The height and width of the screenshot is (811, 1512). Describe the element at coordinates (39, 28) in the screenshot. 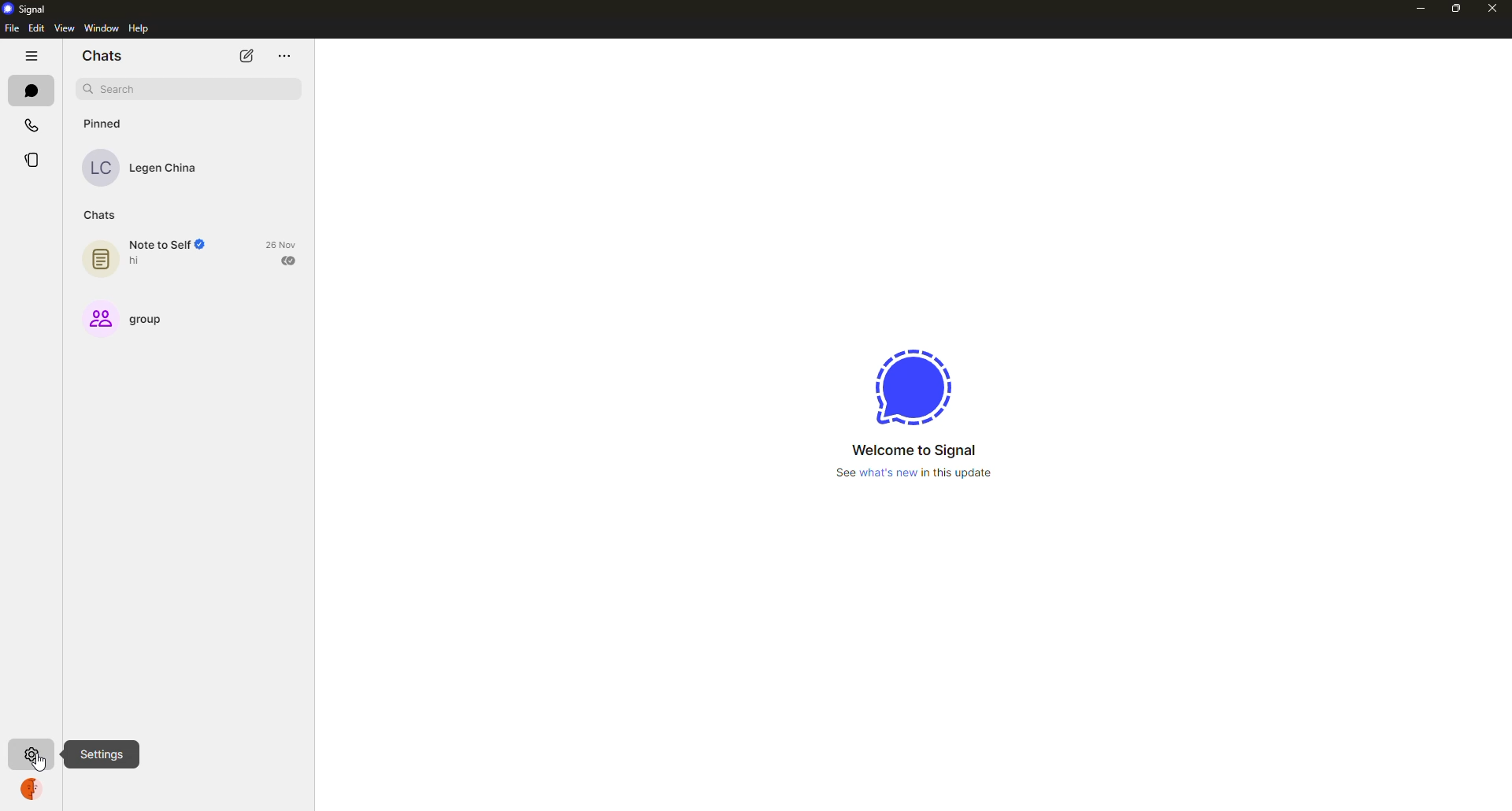

I see `edit` at that location.